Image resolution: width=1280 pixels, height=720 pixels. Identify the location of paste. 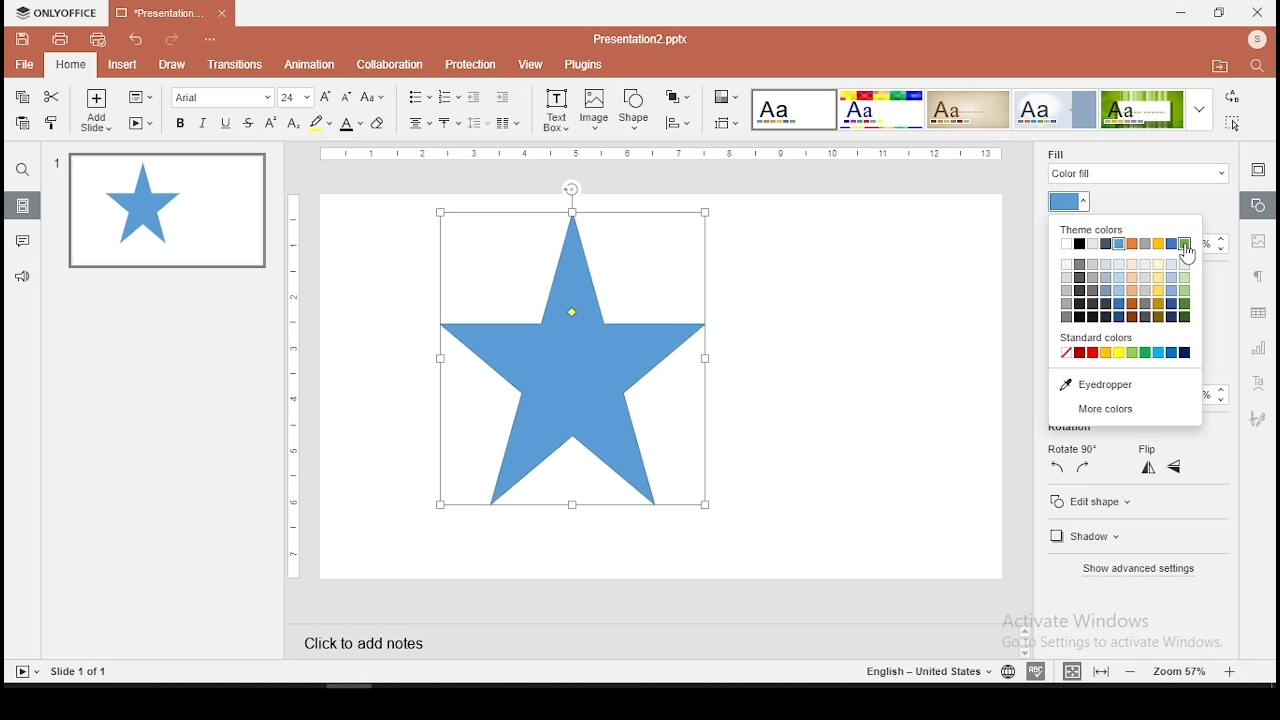
(22, 123).